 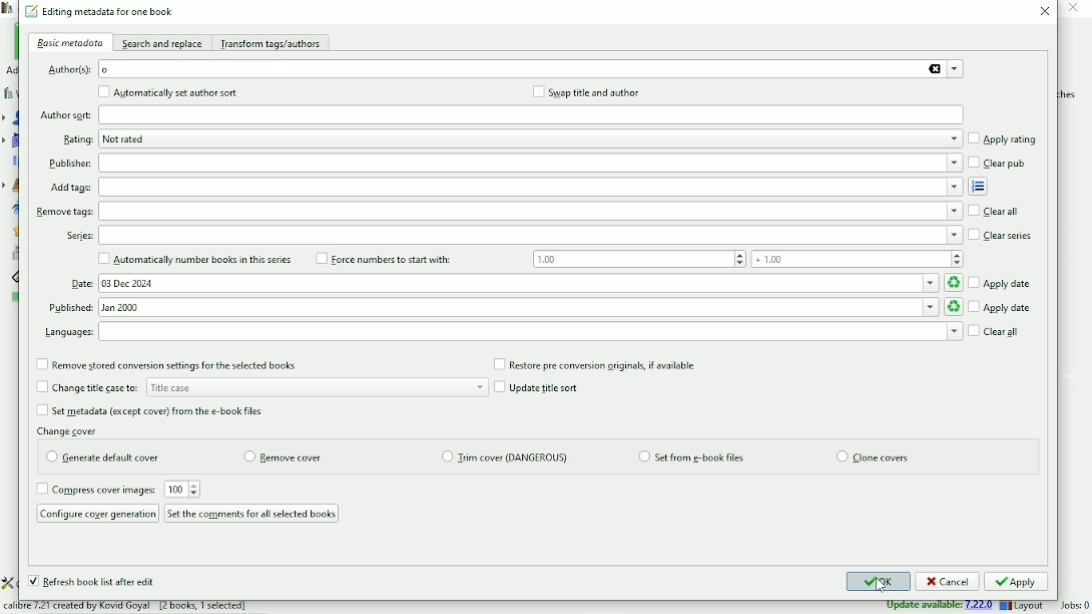 What do you see at coordinates (65, 115) in the screenshot?
I see `Author sort:` at bounding box center [65, 115].